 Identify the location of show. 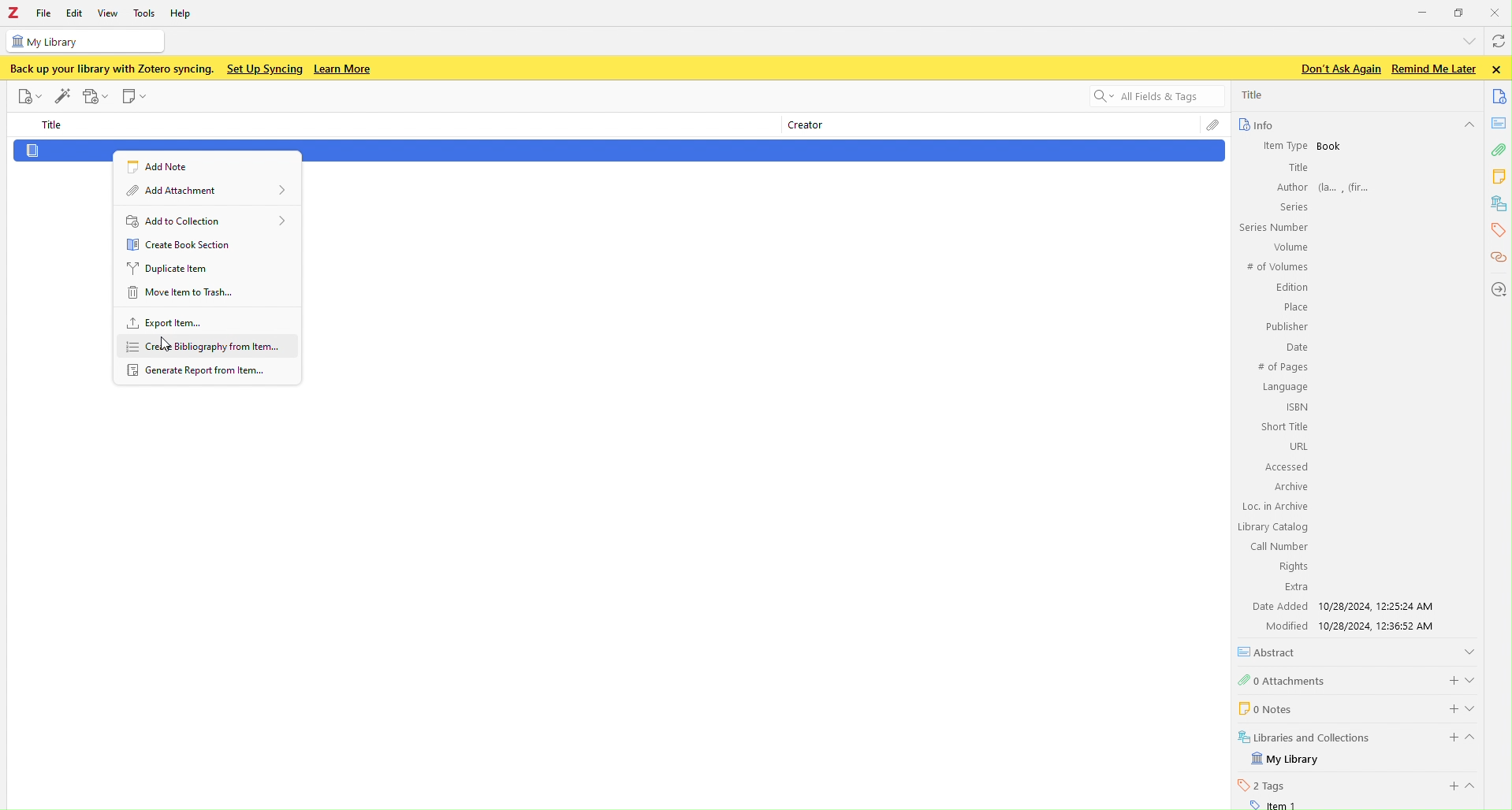
(1476, 786).